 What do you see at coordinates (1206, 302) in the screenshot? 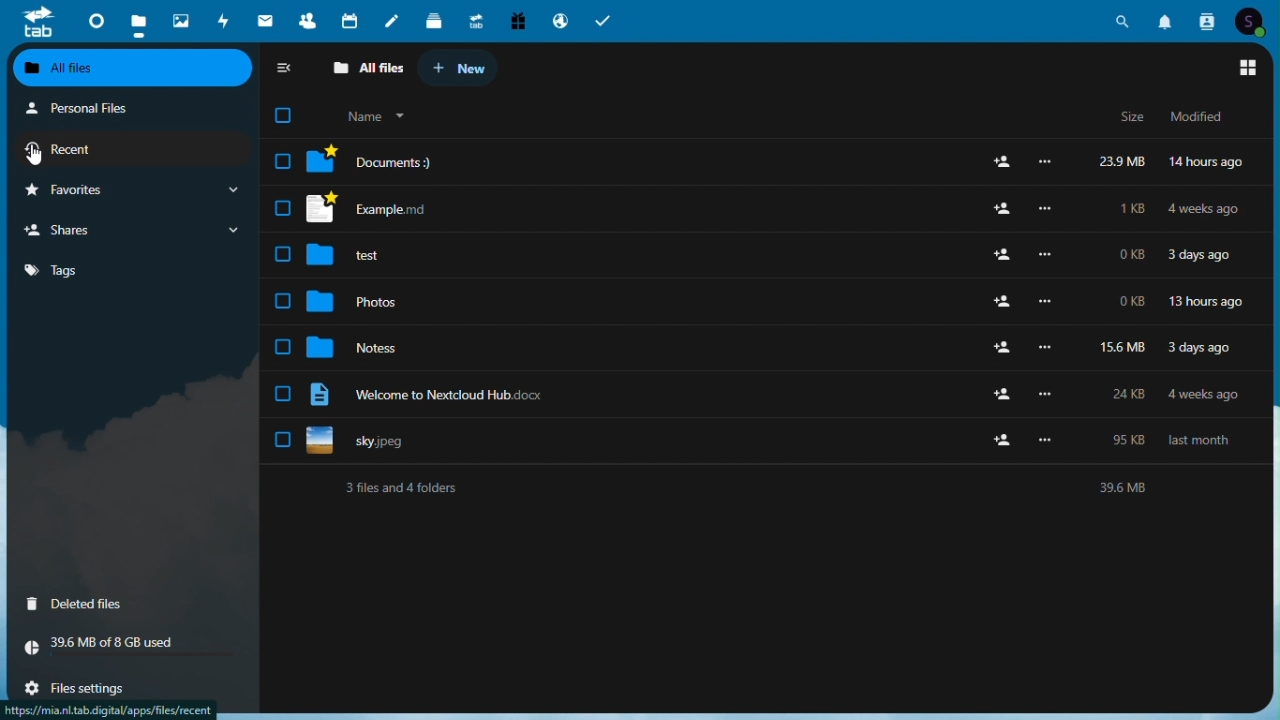
I see `13 hours ago` at bounding box center [1206, 302].